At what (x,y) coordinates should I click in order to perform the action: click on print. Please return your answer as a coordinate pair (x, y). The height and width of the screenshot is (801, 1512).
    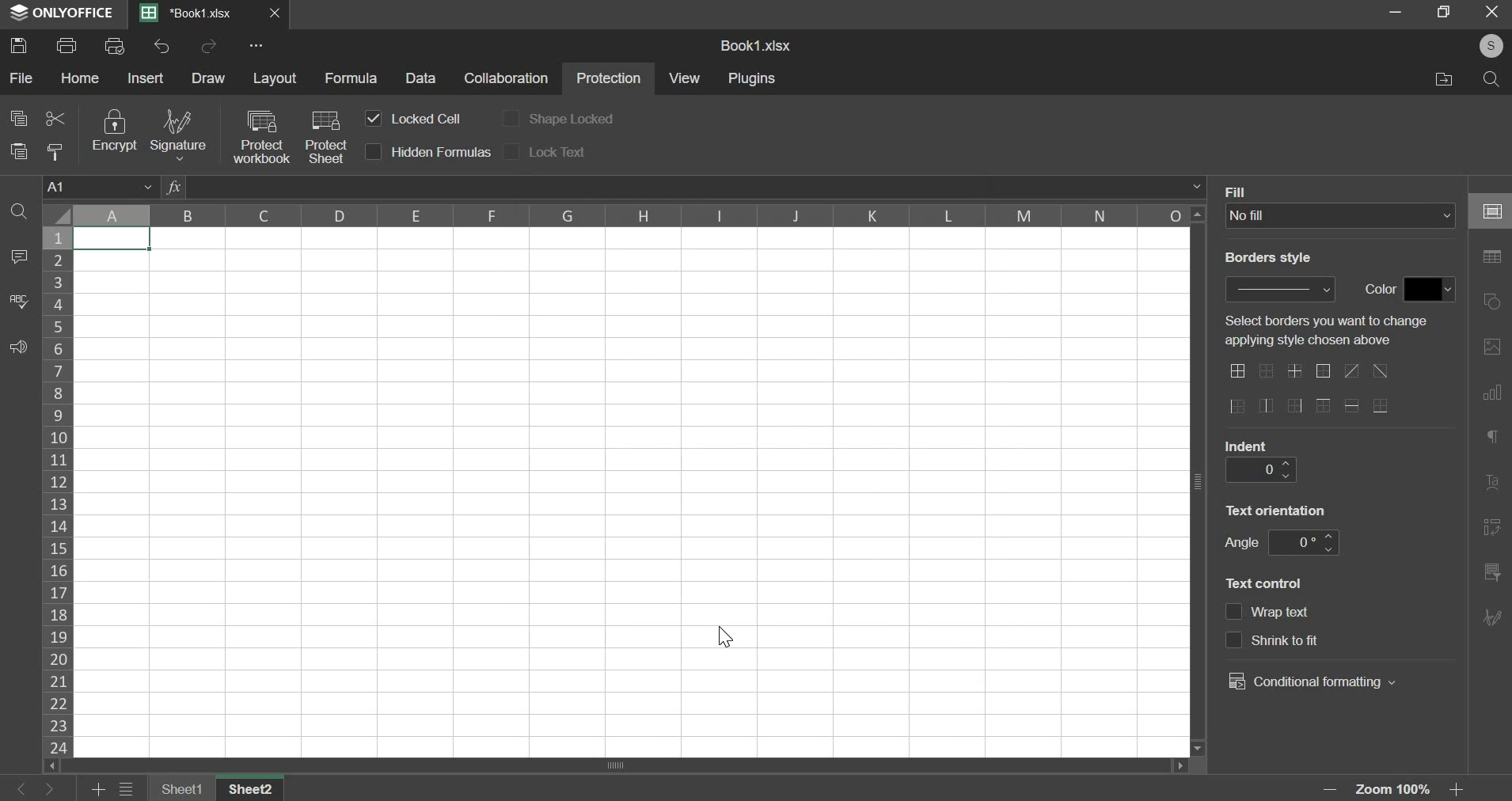
    Looking at the image, I should click on (67, 44).